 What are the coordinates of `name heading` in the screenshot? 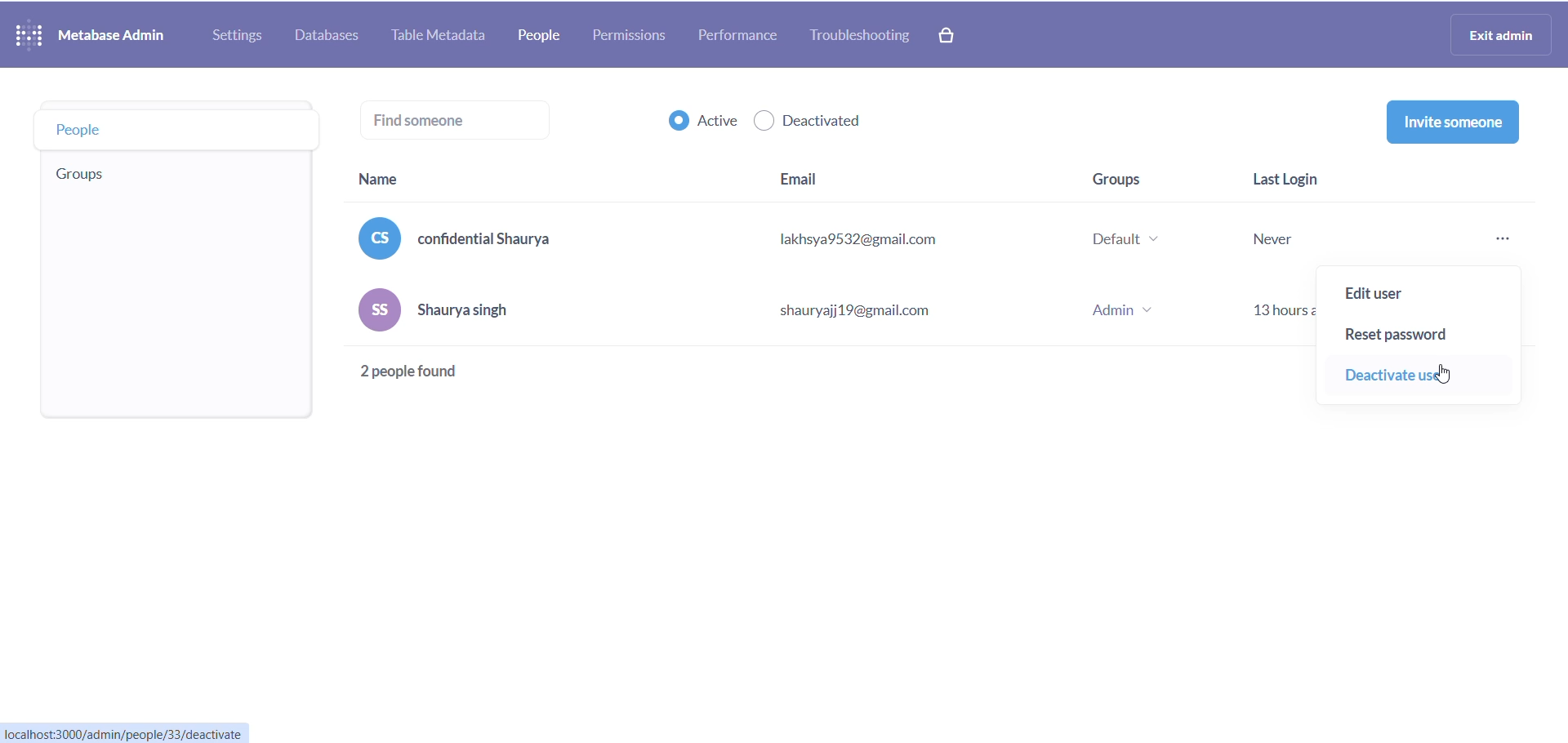 It's located at (443, 181).